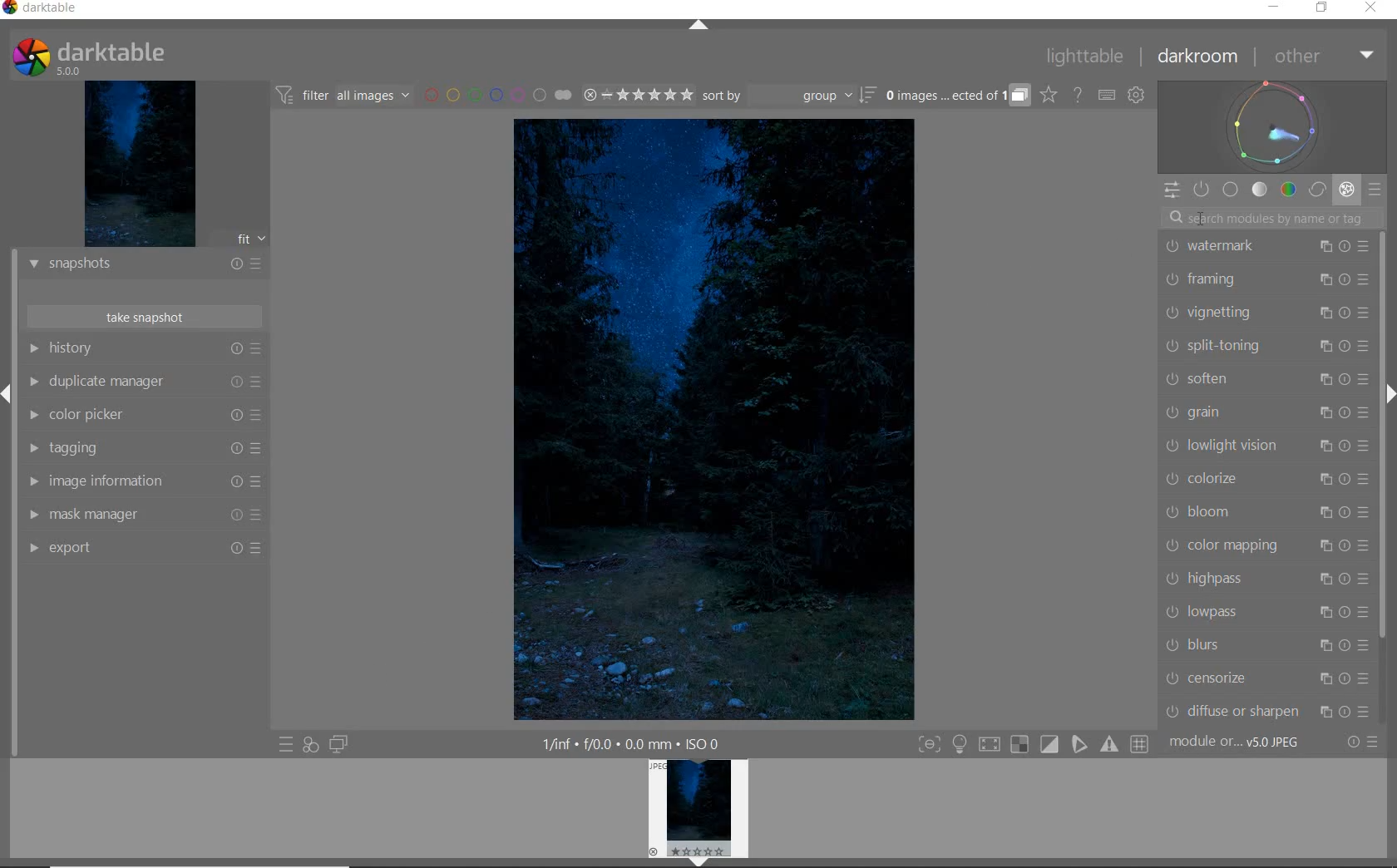 The image size is (1397, 868). I want to click on FILTER BY IMAGE COLOR LABEL, so click(498, 96).